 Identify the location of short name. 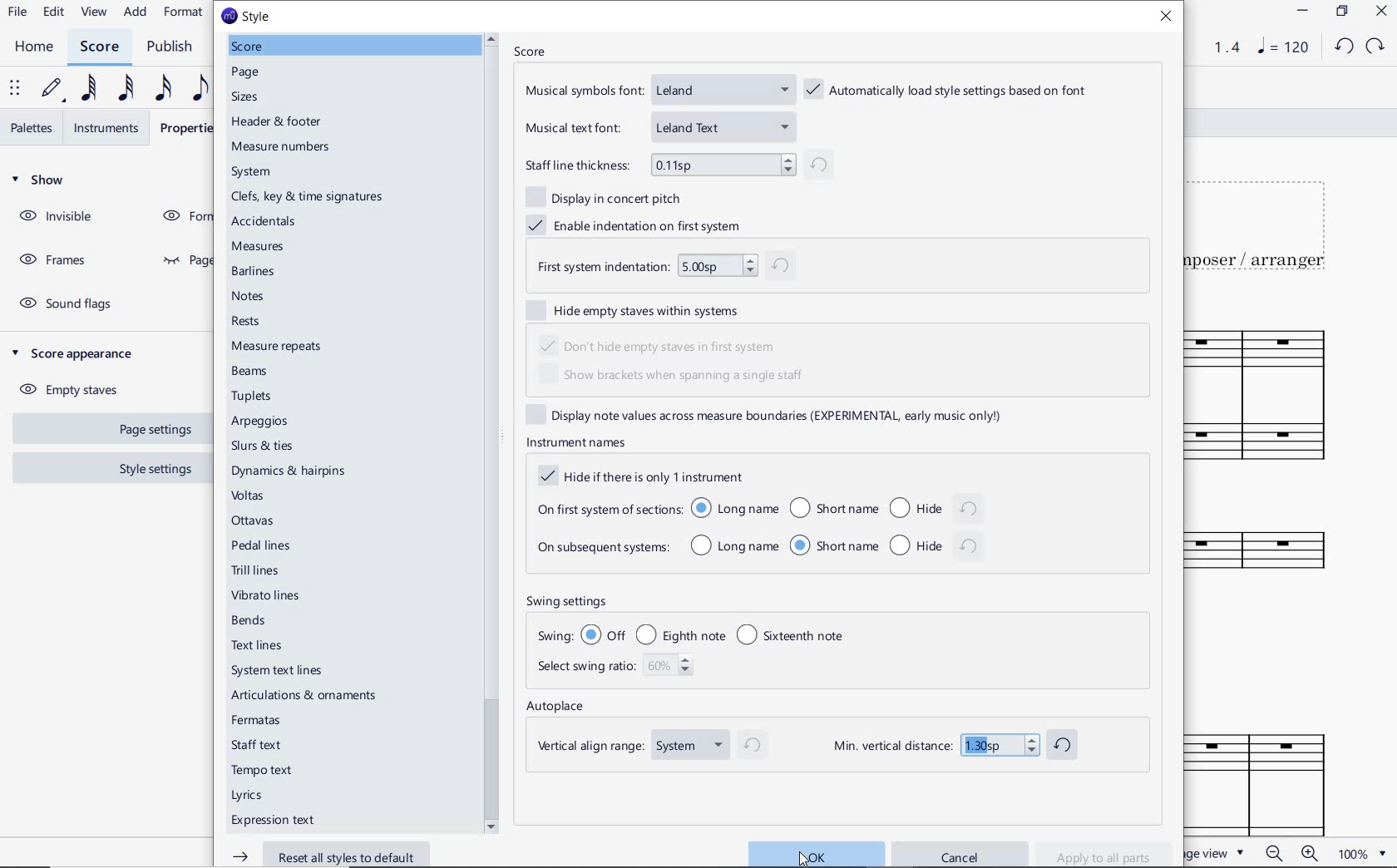
(834, 545).